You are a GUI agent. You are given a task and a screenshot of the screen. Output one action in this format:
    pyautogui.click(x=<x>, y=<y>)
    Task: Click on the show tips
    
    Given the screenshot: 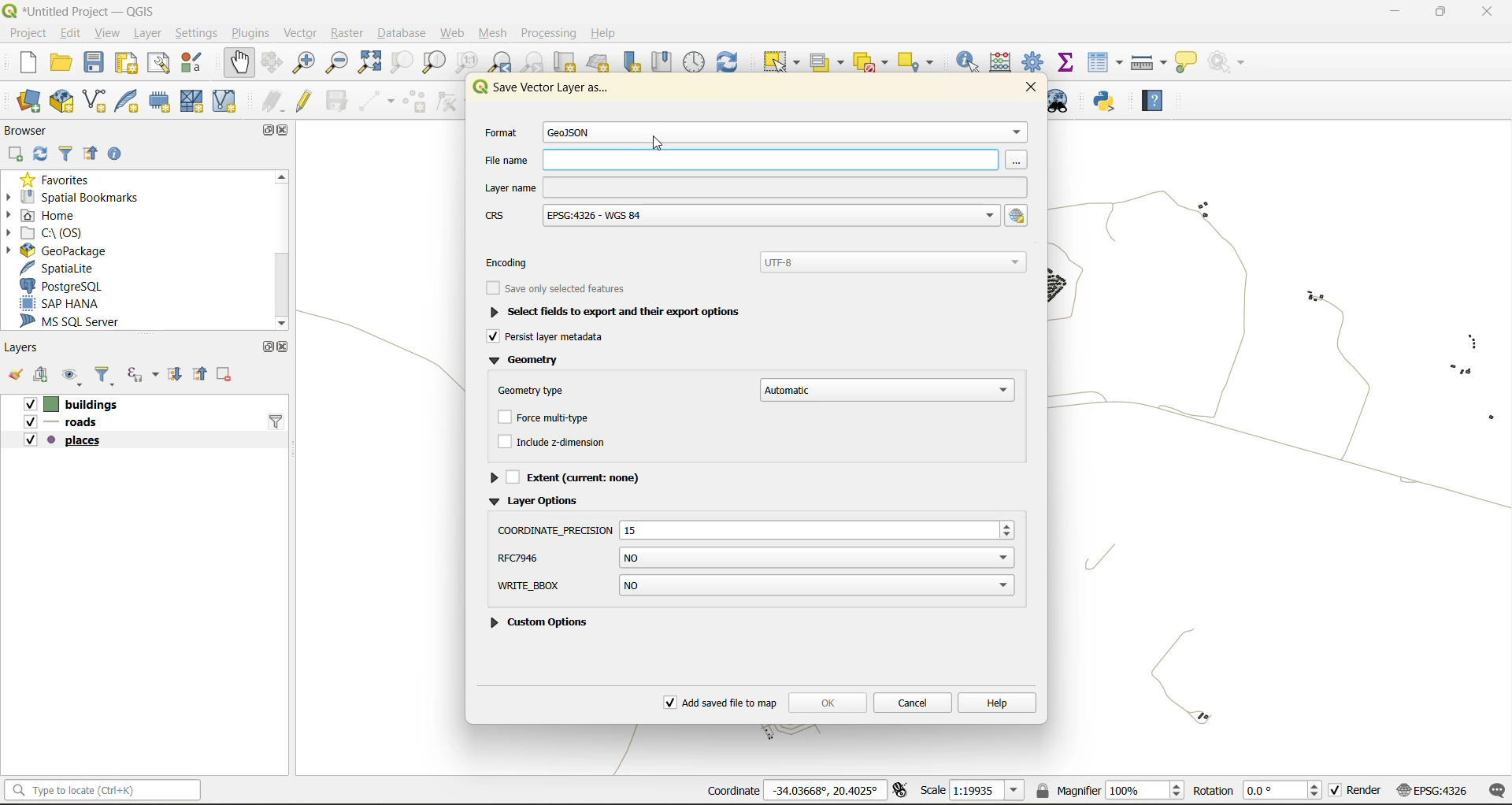 What is the action you would take?
    pyautogui.click(x=1190, y=63)
    